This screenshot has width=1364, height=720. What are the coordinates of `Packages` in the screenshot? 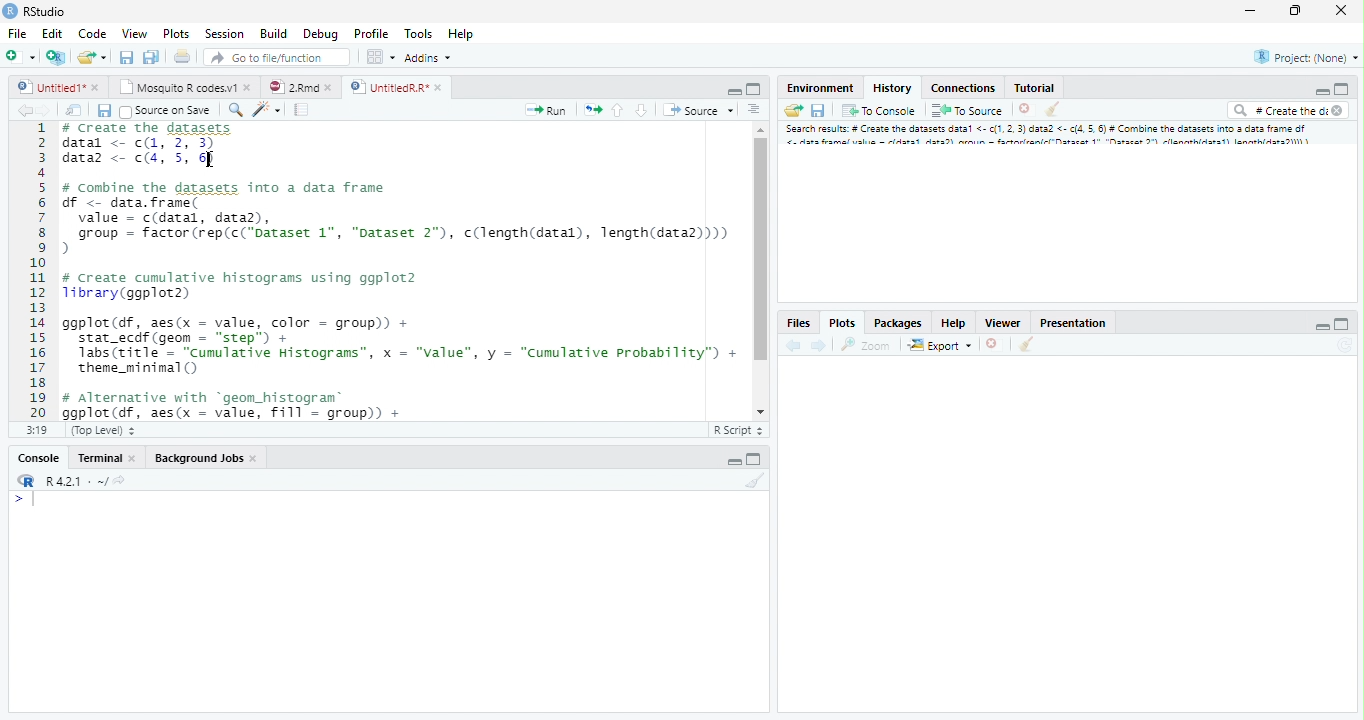 It's located at (898, 321).